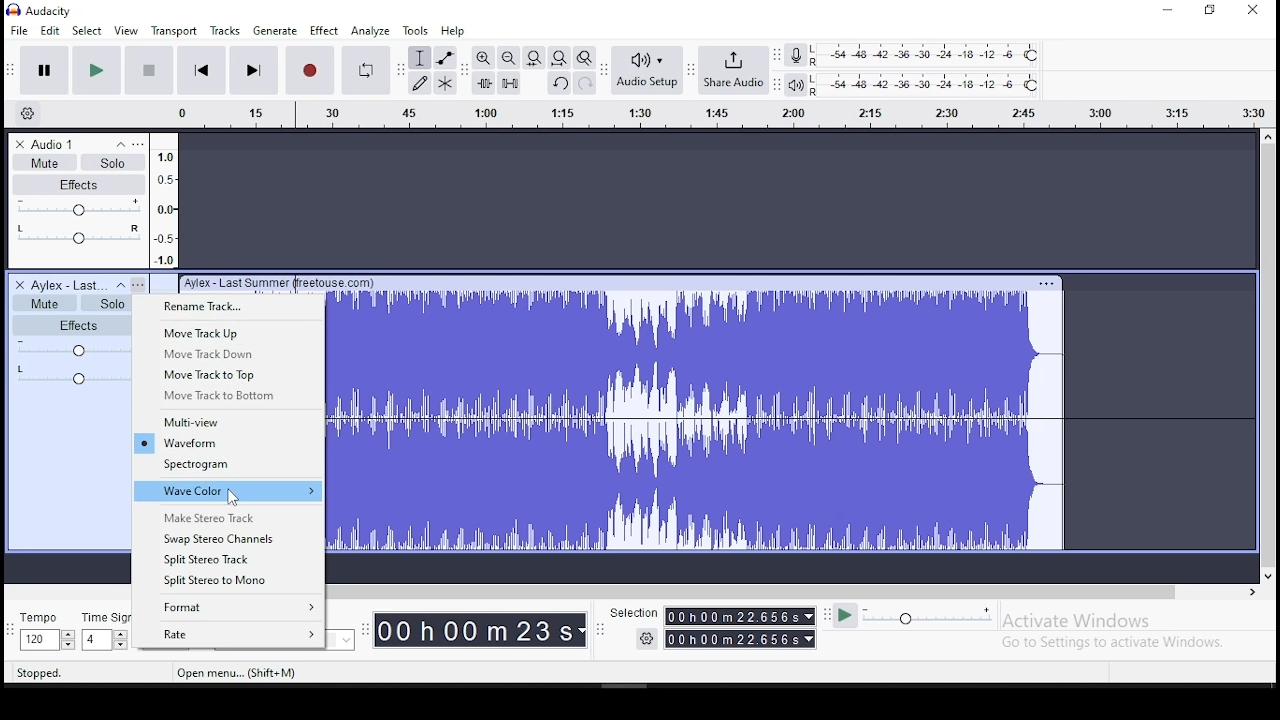 The width and height of the screenshot is (1280, 720). I want to click on move track up, so click(228, 333).